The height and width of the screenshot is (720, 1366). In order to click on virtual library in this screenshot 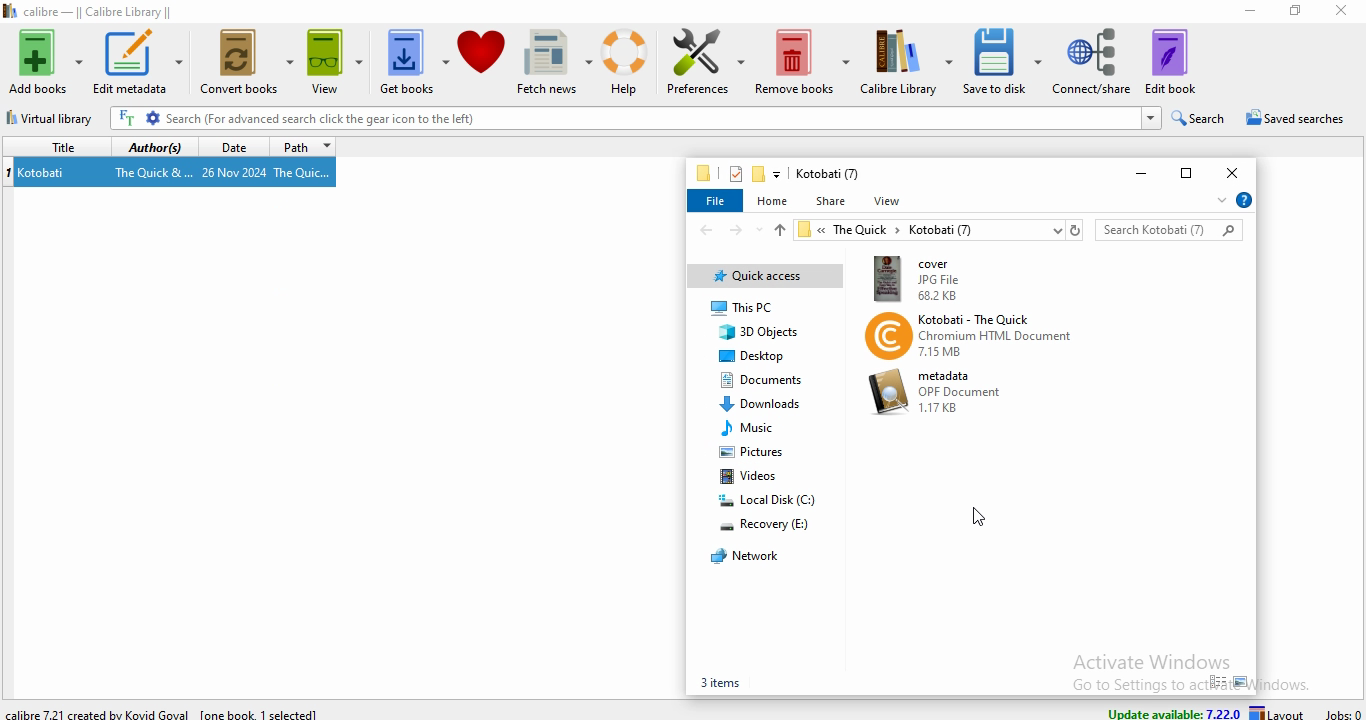, I will do `click(54, 121)`.